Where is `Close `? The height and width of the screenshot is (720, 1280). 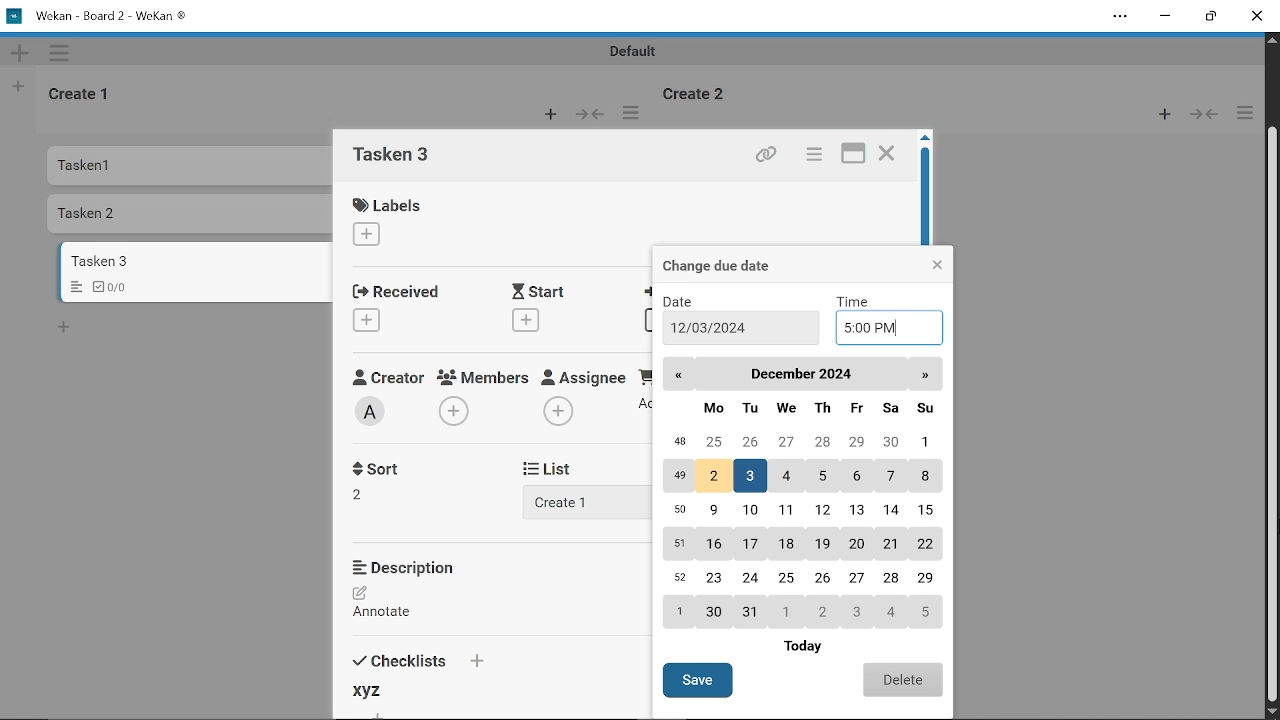 Close  is located at coordinates (887, 155).